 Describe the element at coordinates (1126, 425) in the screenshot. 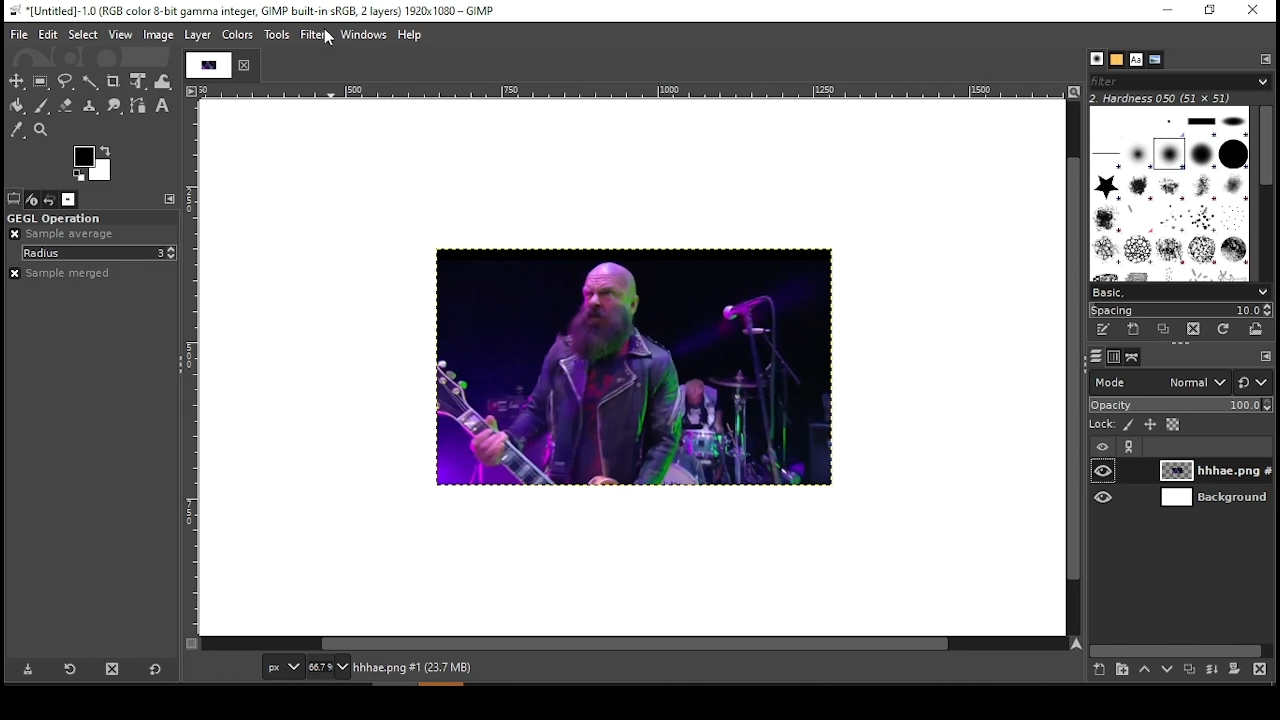

I see `lock pixels` at that location.